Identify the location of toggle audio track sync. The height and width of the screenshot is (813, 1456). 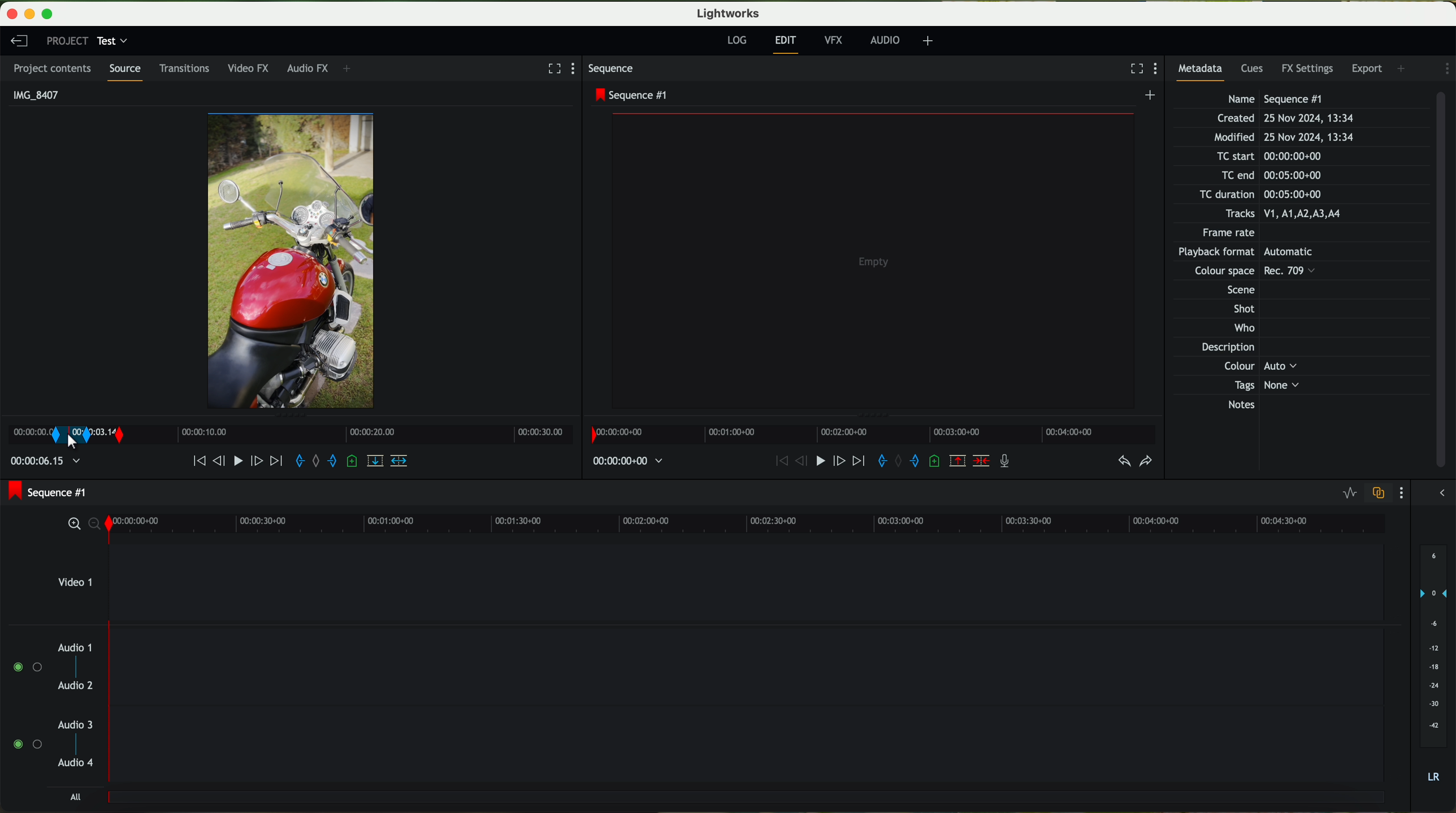
(1380, 493).